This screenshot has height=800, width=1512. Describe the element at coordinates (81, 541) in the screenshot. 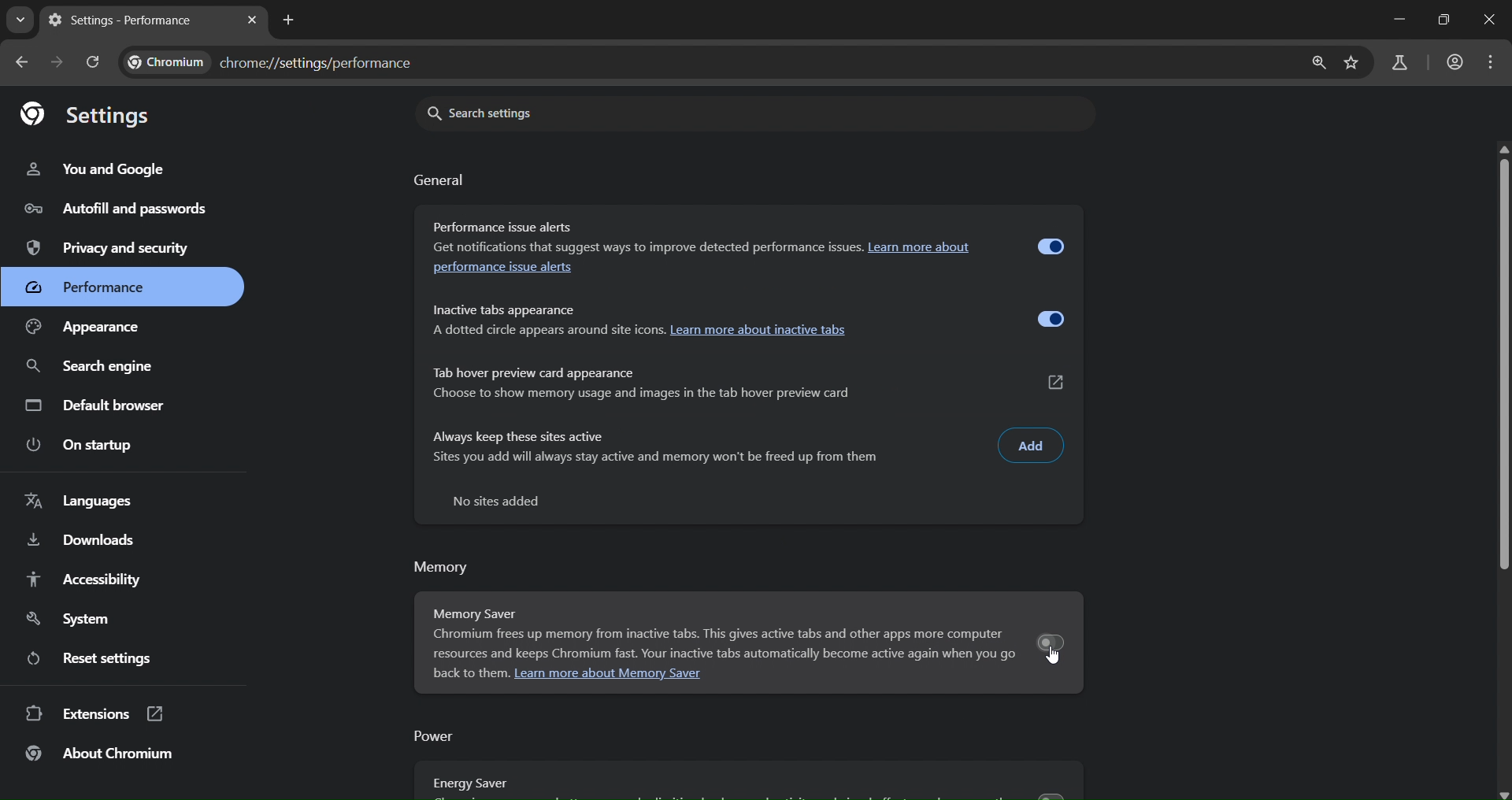

I see `downloads` at that location.